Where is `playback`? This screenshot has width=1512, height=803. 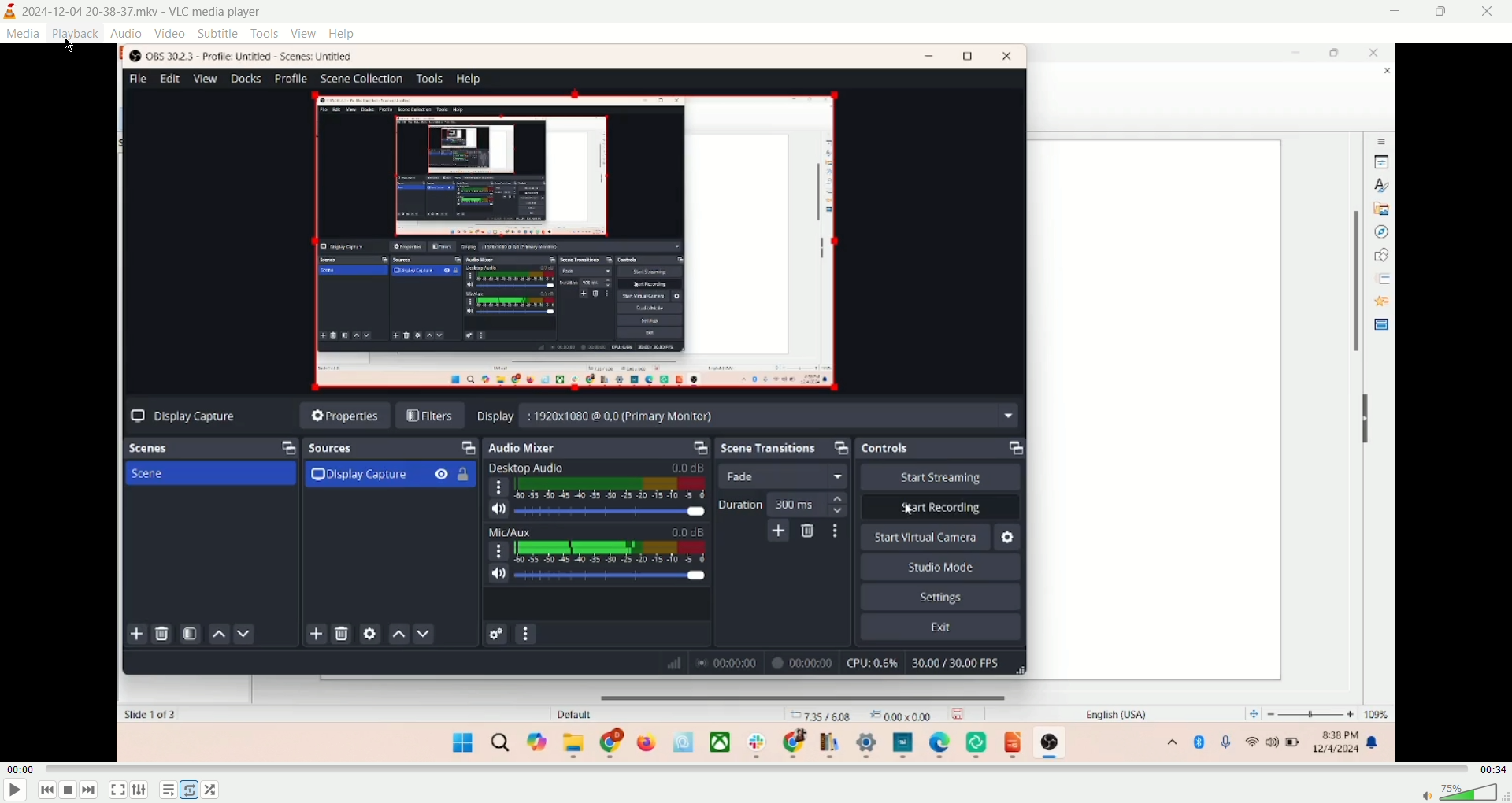
playback is located at coordinates (75, 33).